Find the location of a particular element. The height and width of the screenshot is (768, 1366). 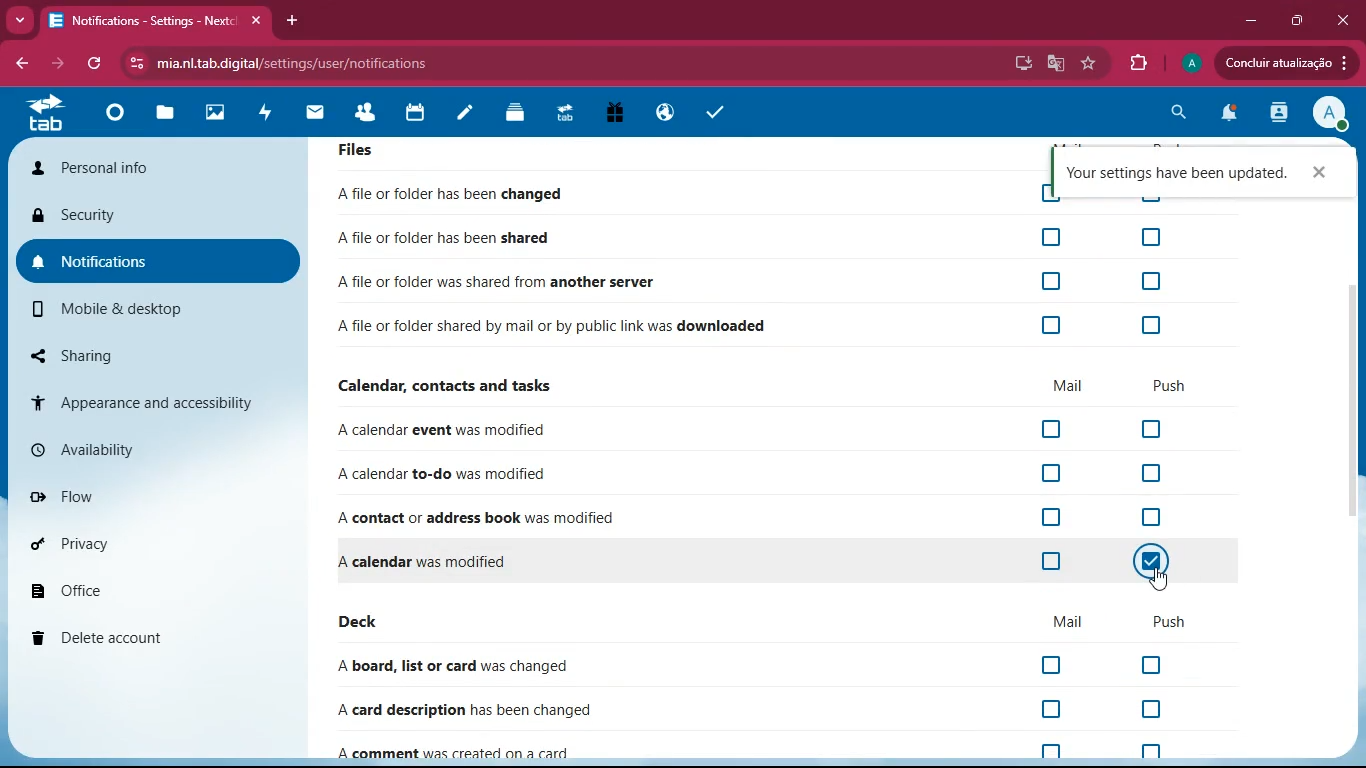

mail is located at coordinates (1062, 622).